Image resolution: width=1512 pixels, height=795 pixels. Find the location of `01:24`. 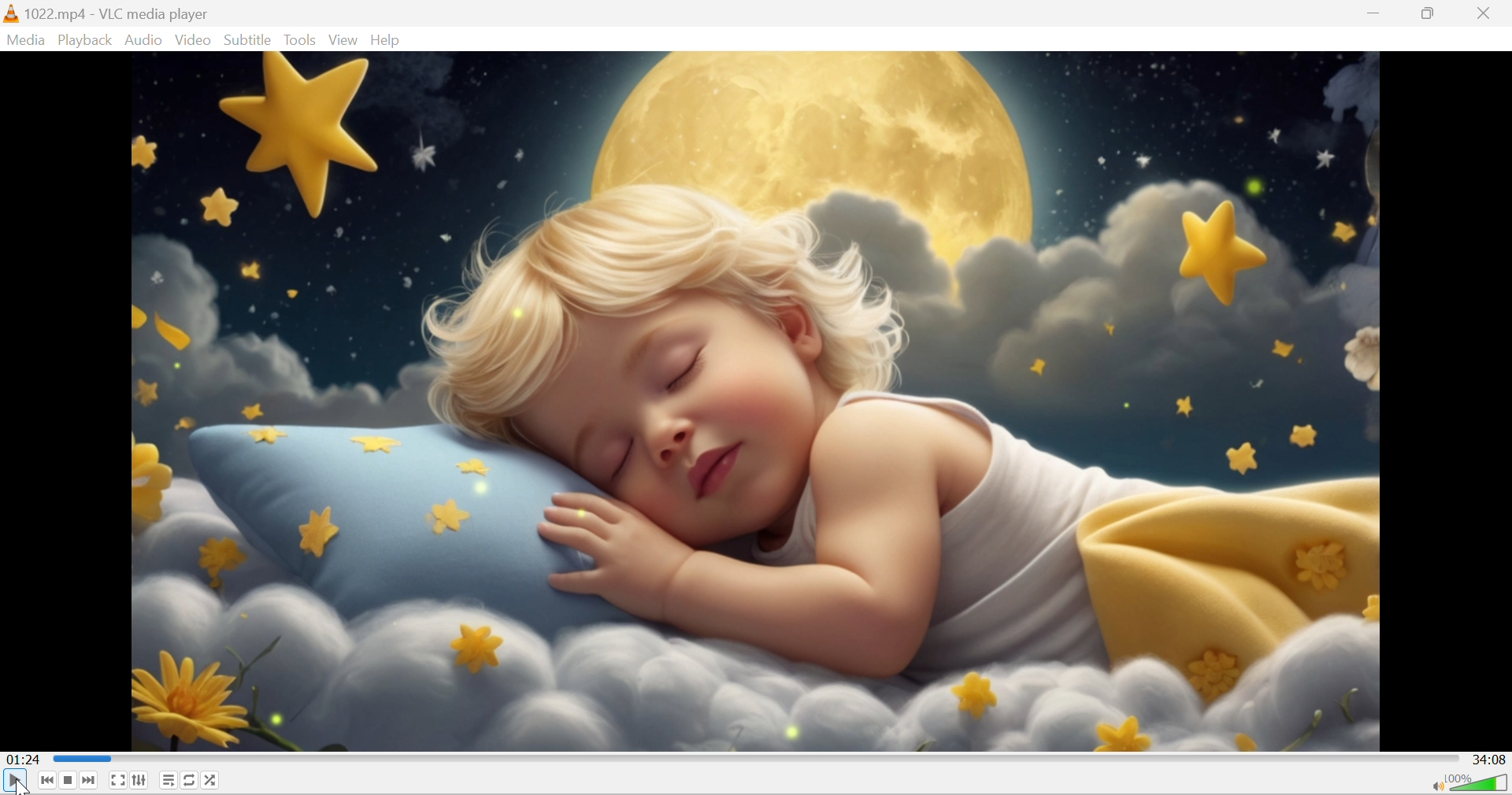

01:24 is located at coordinates (22, 758).